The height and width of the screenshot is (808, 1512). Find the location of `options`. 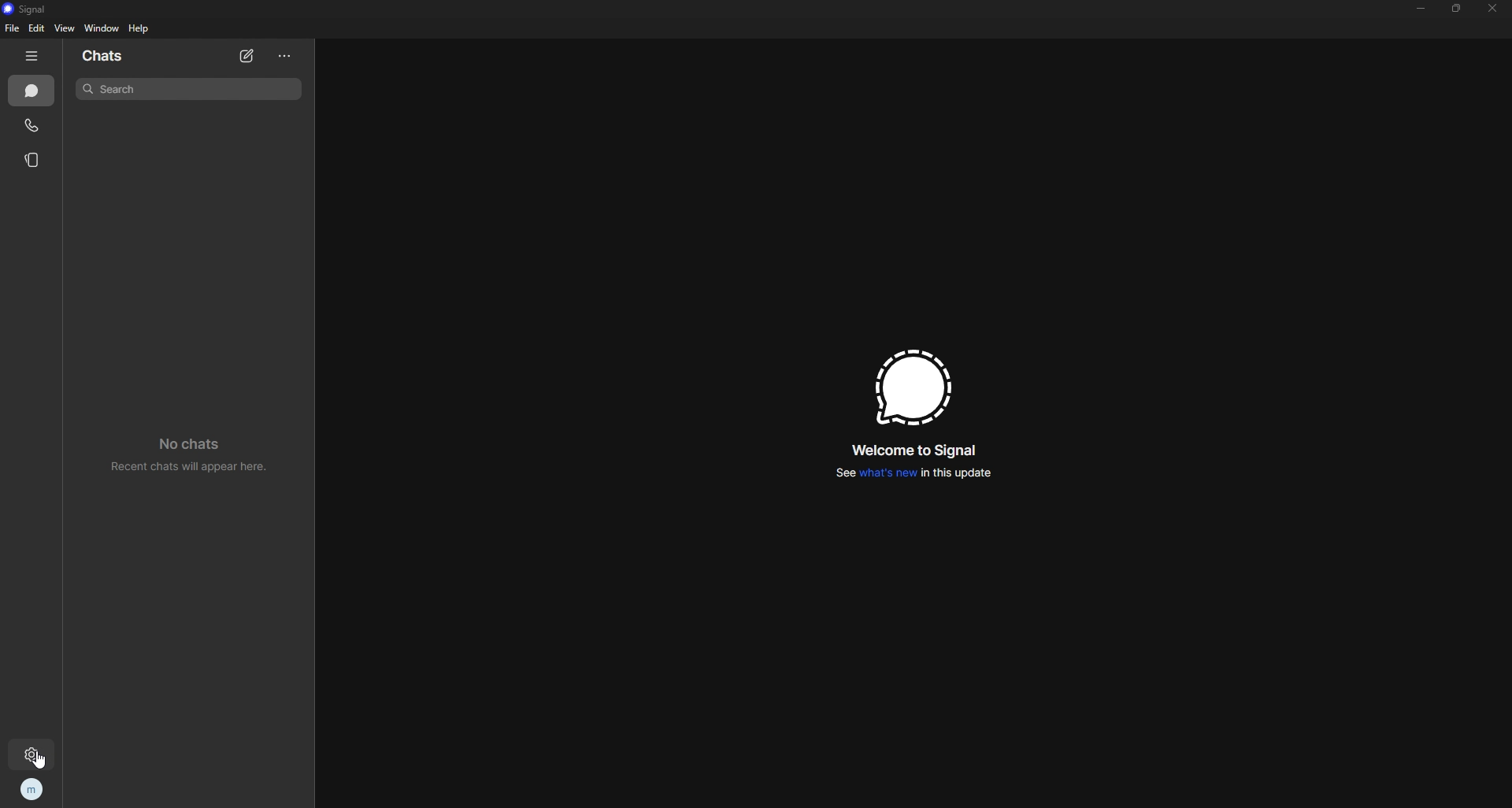

options is located at coordinates (286, 57).